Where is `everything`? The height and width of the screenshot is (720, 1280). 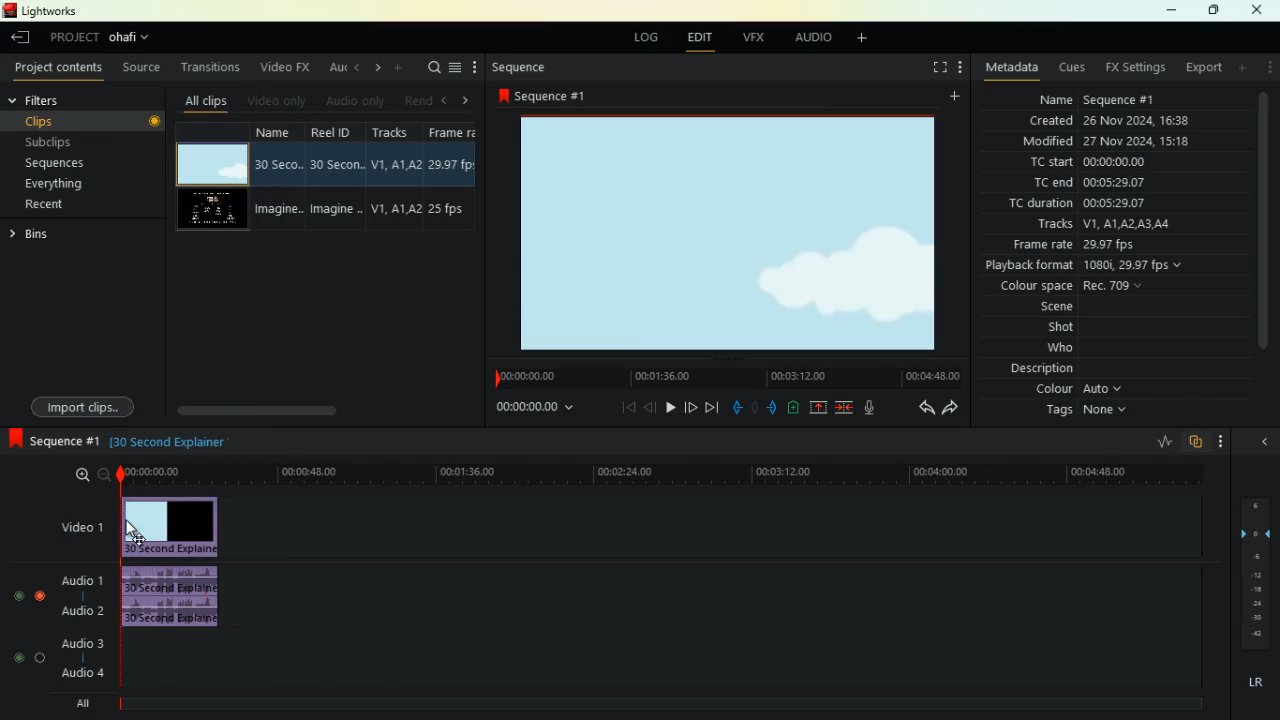
everything is located at coordinates (61, 184).